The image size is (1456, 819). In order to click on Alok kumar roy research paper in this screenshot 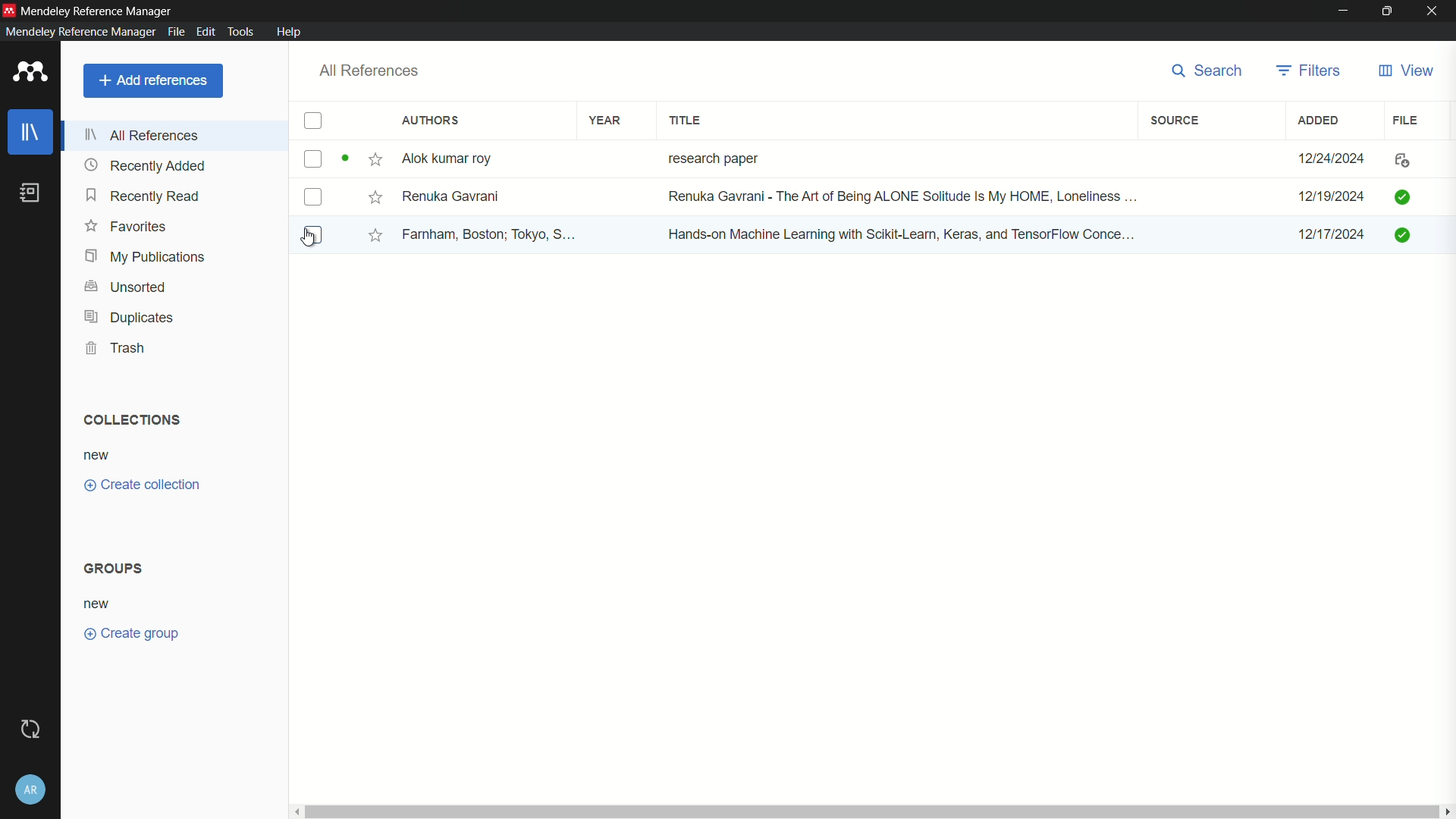, I will do `click(589, 160)`.